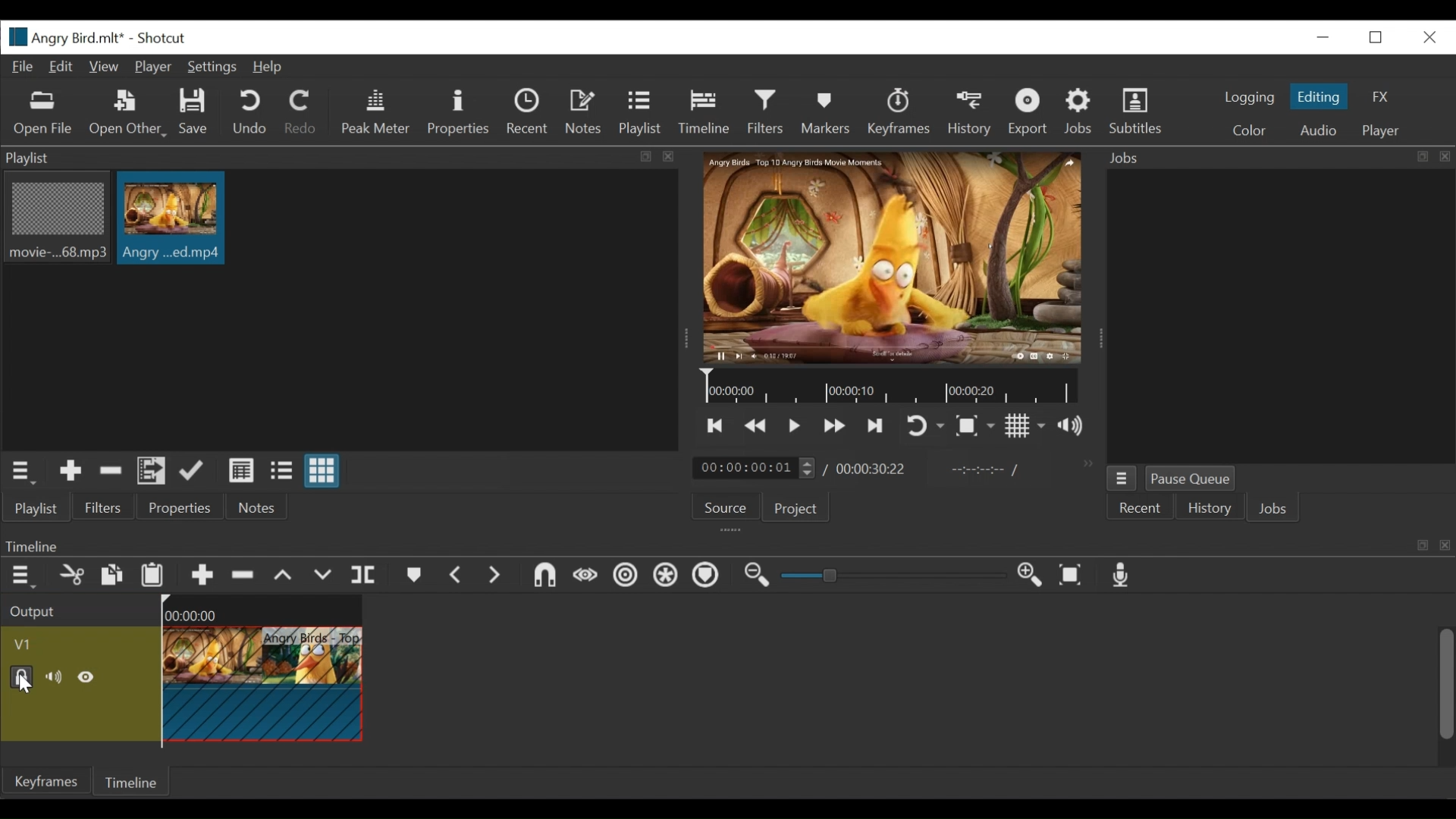 This screenshot has height=819, width=1456. Describe the element at coordinates (545, 578) in the screenshot. I see `Snap` at that location.